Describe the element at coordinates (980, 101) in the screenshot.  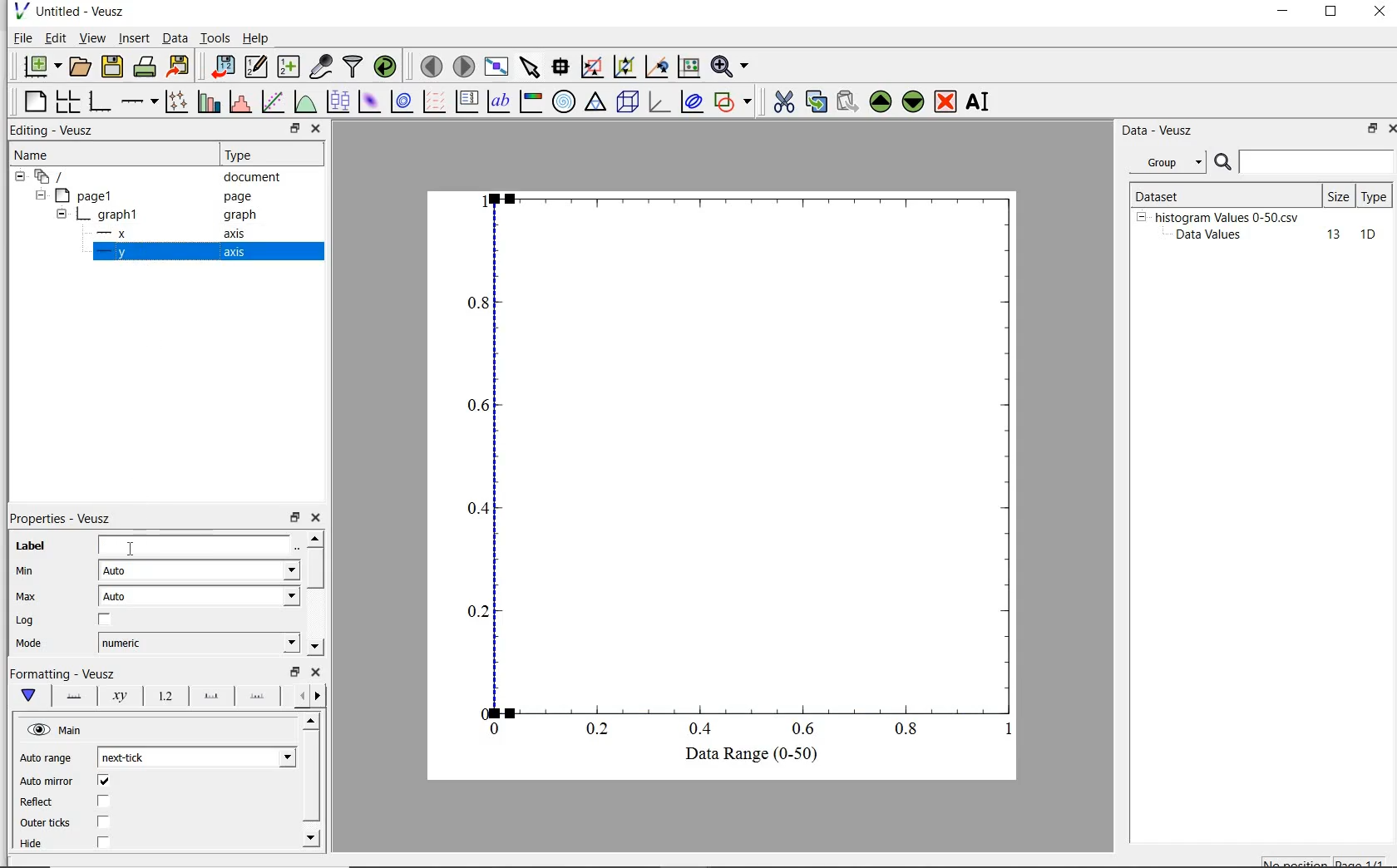
I see `rename the selected widget` at that location.